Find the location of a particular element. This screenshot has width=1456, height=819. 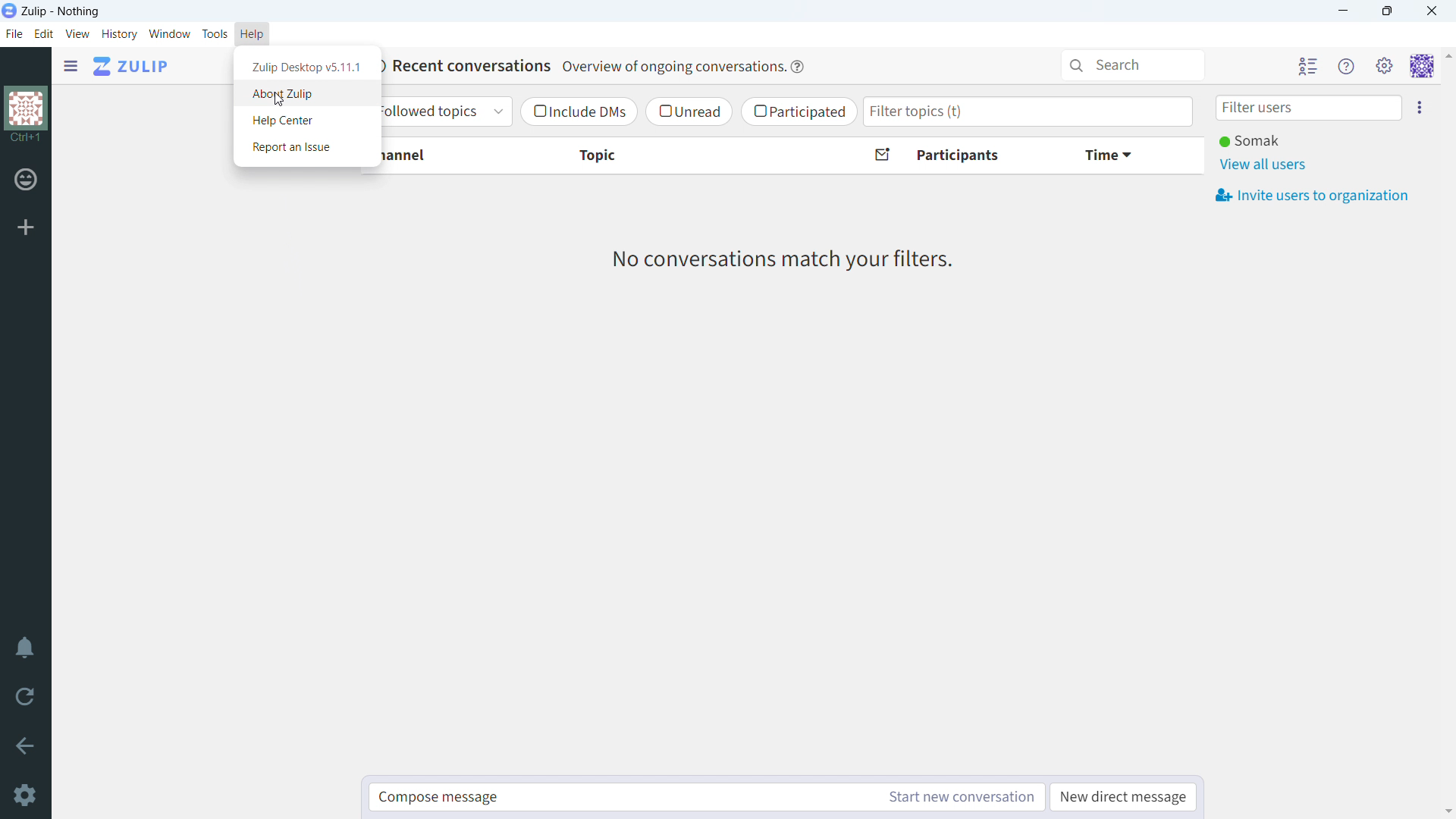

compose message is located at coordinates (623, 797).